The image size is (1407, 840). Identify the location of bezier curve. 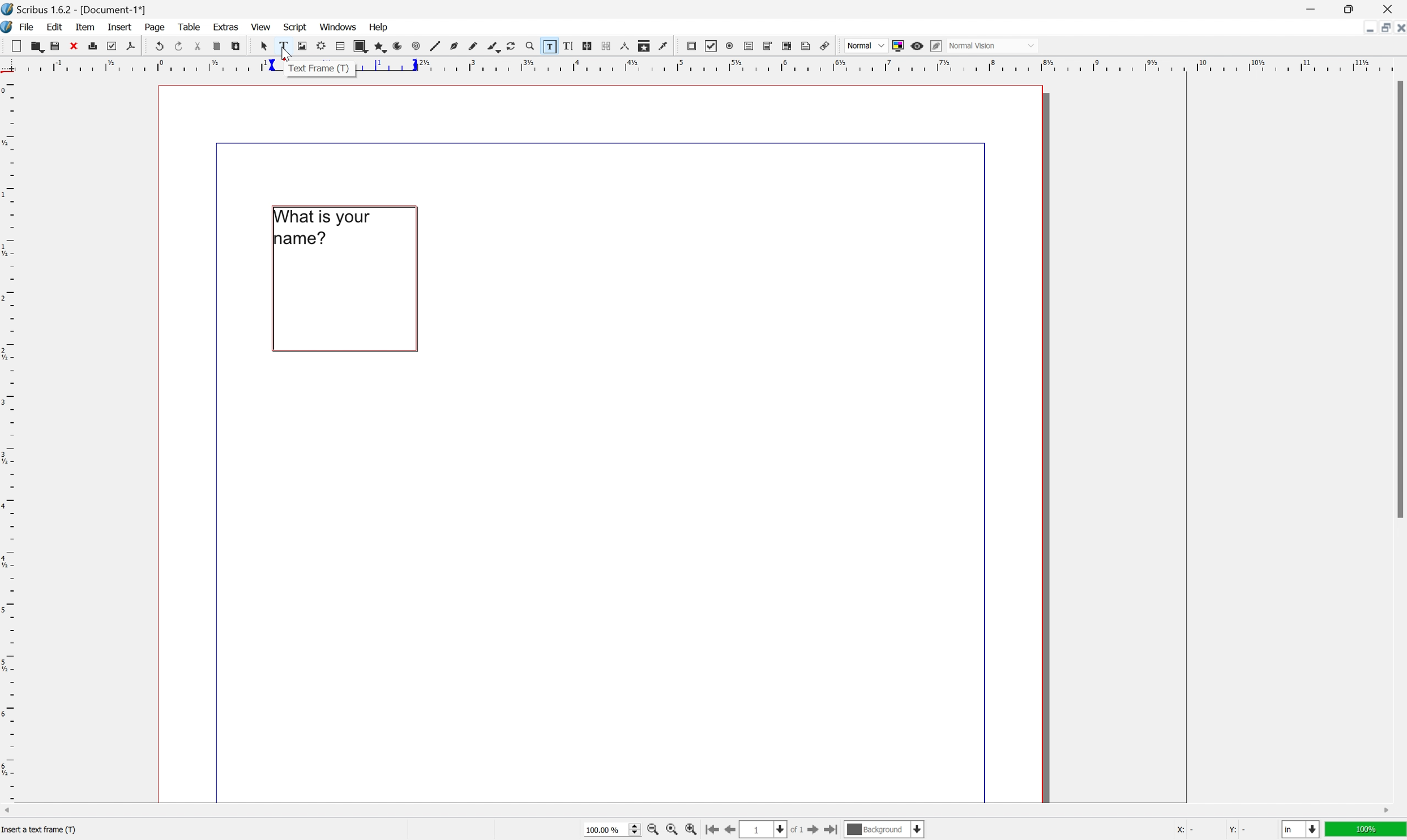
(494, 48).